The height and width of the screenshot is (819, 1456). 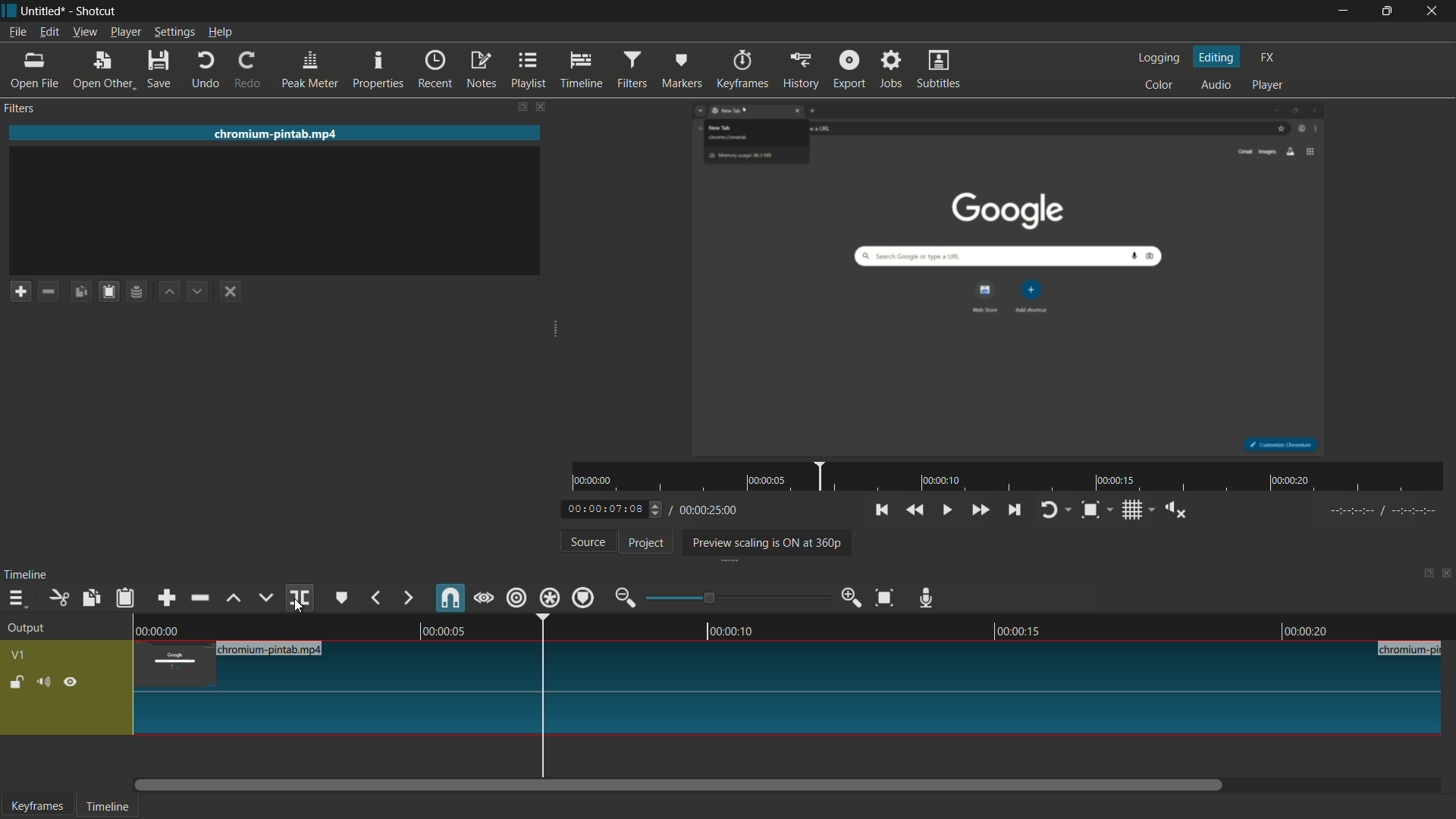 What do you see at coordinates (1343, 11) in the screenshot?
I see `minimize` at bounding box center [1343, 11].